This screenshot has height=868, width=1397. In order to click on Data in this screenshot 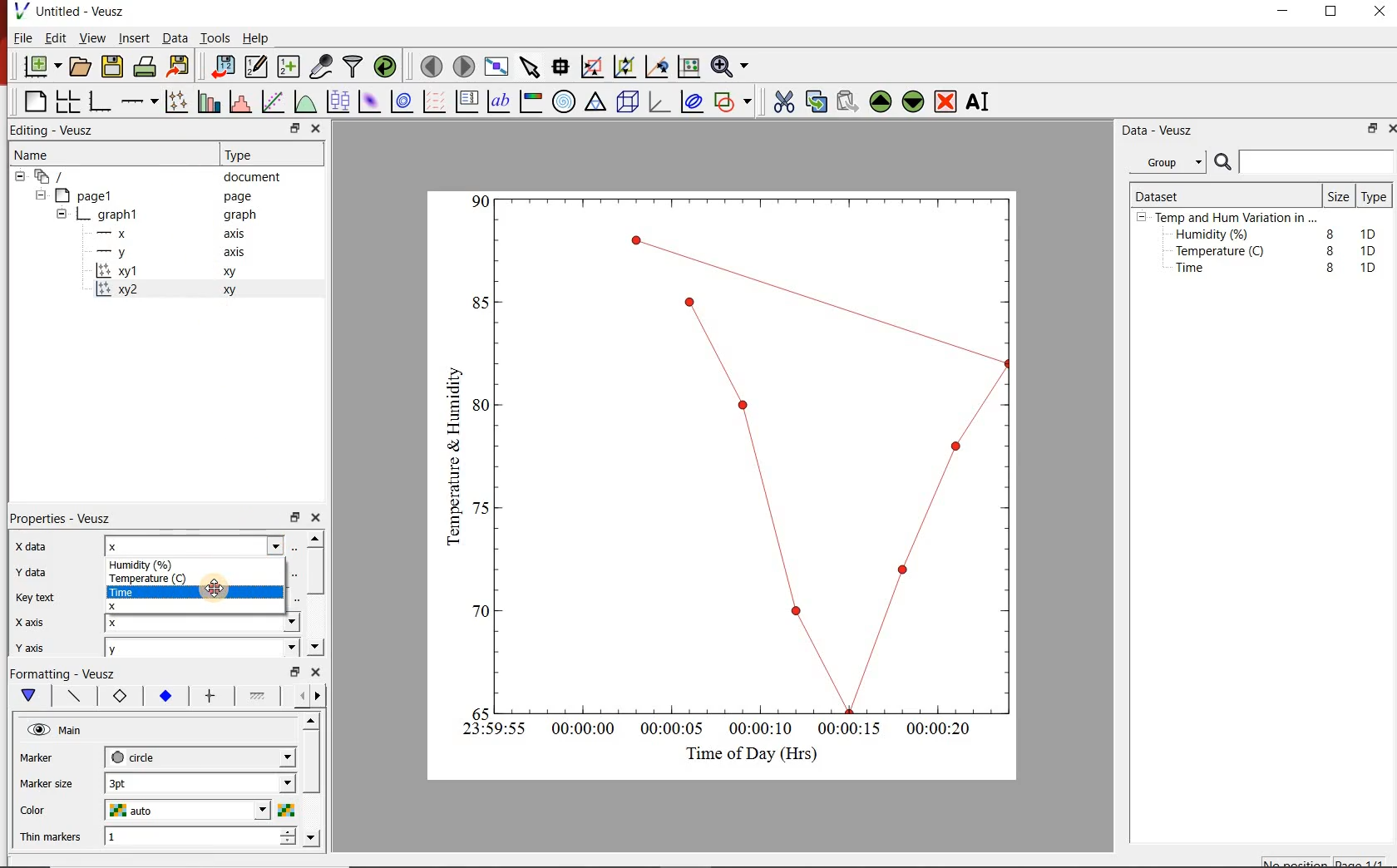, I will do `click(171, 38)`.